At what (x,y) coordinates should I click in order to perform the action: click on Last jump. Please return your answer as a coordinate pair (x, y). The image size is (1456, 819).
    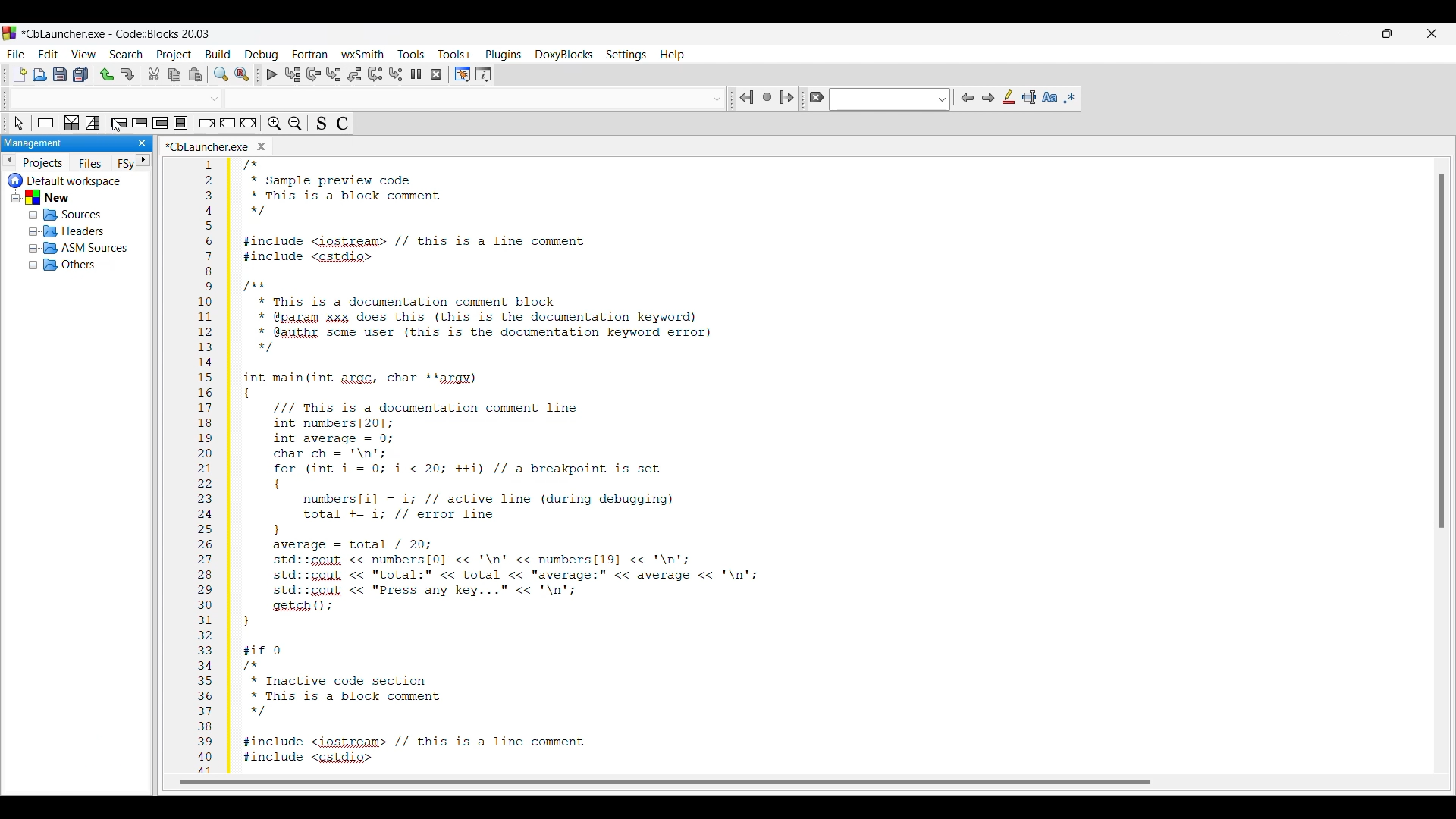
    Looking at the image, I should click on (767, 96).